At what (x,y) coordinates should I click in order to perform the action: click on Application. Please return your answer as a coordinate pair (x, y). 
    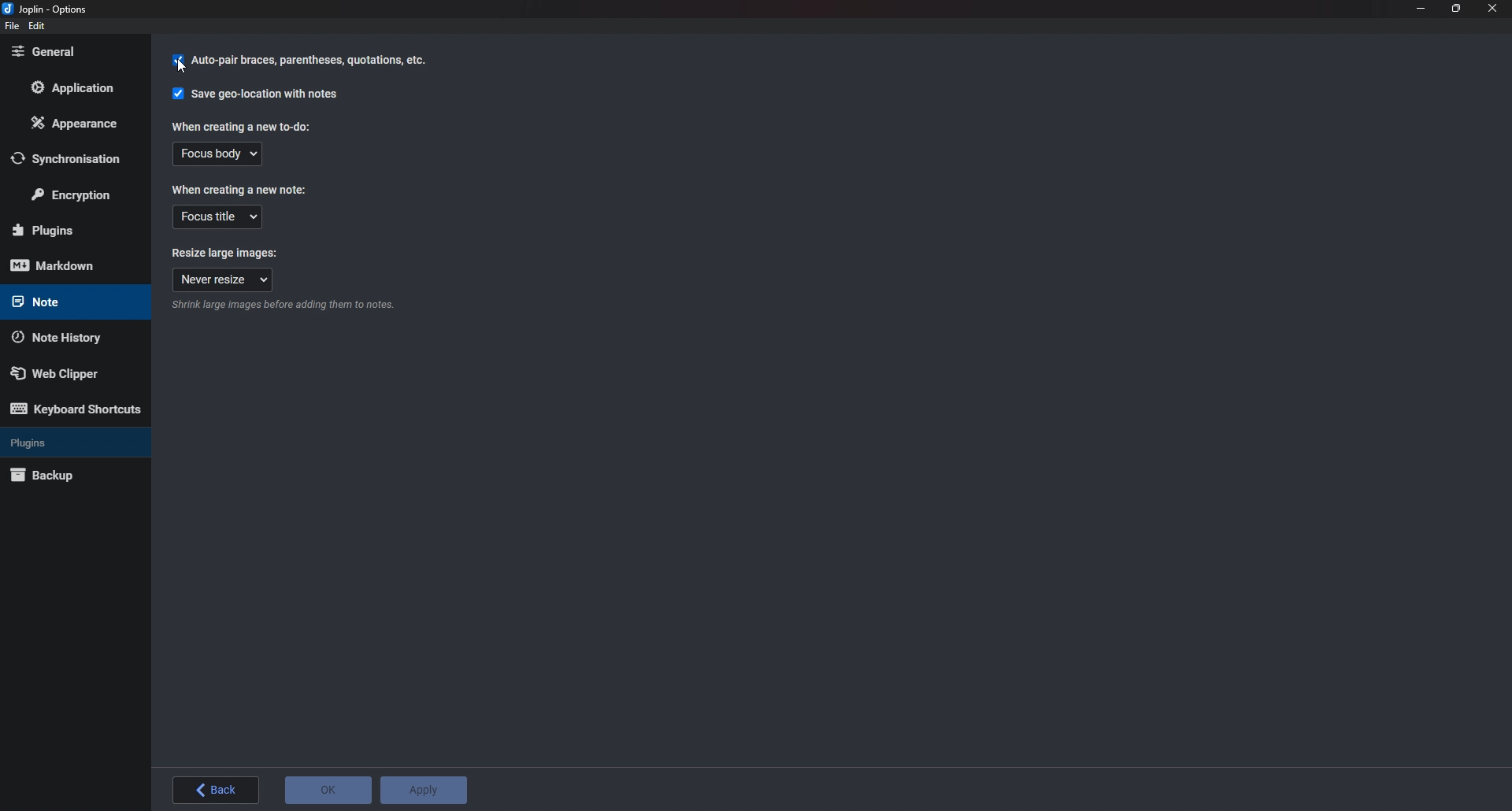
    Looking at the image, I should click on (78, 90).